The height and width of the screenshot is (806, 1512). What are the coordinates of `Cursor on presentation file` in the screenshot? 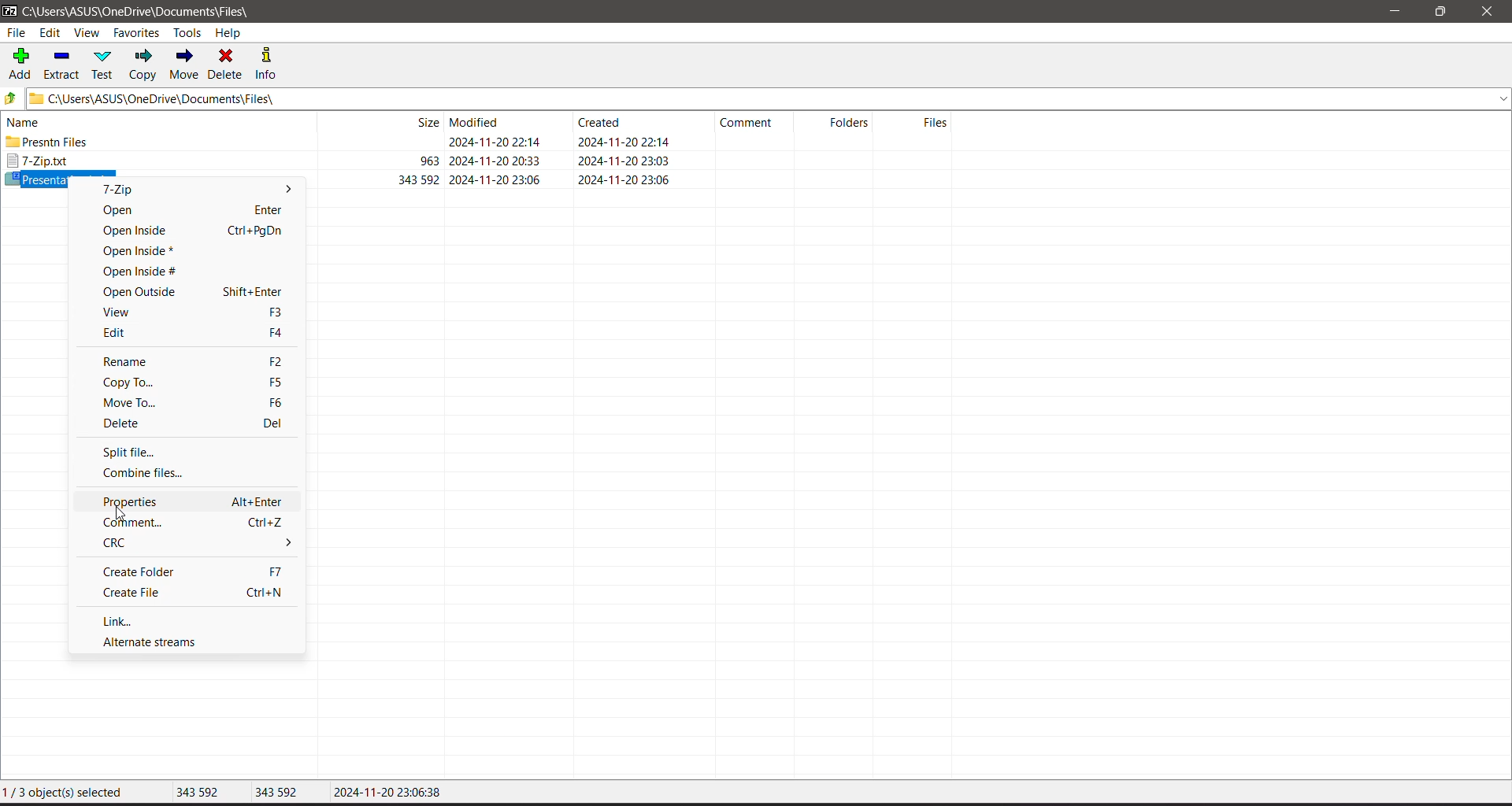 It's located at (342, 176).